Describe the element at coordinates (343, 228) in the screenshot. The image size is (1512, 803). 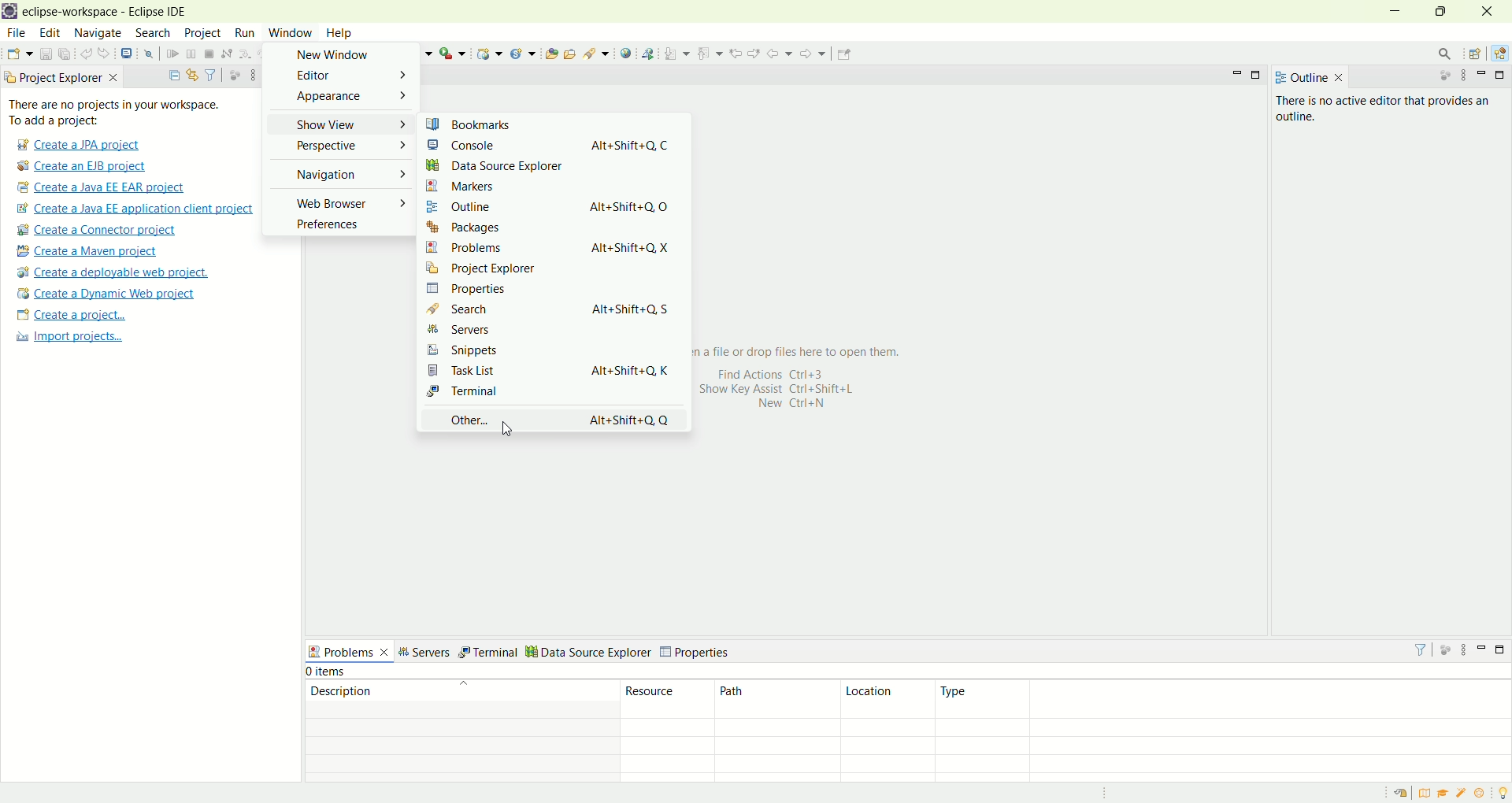
I see `preferences` at that location.